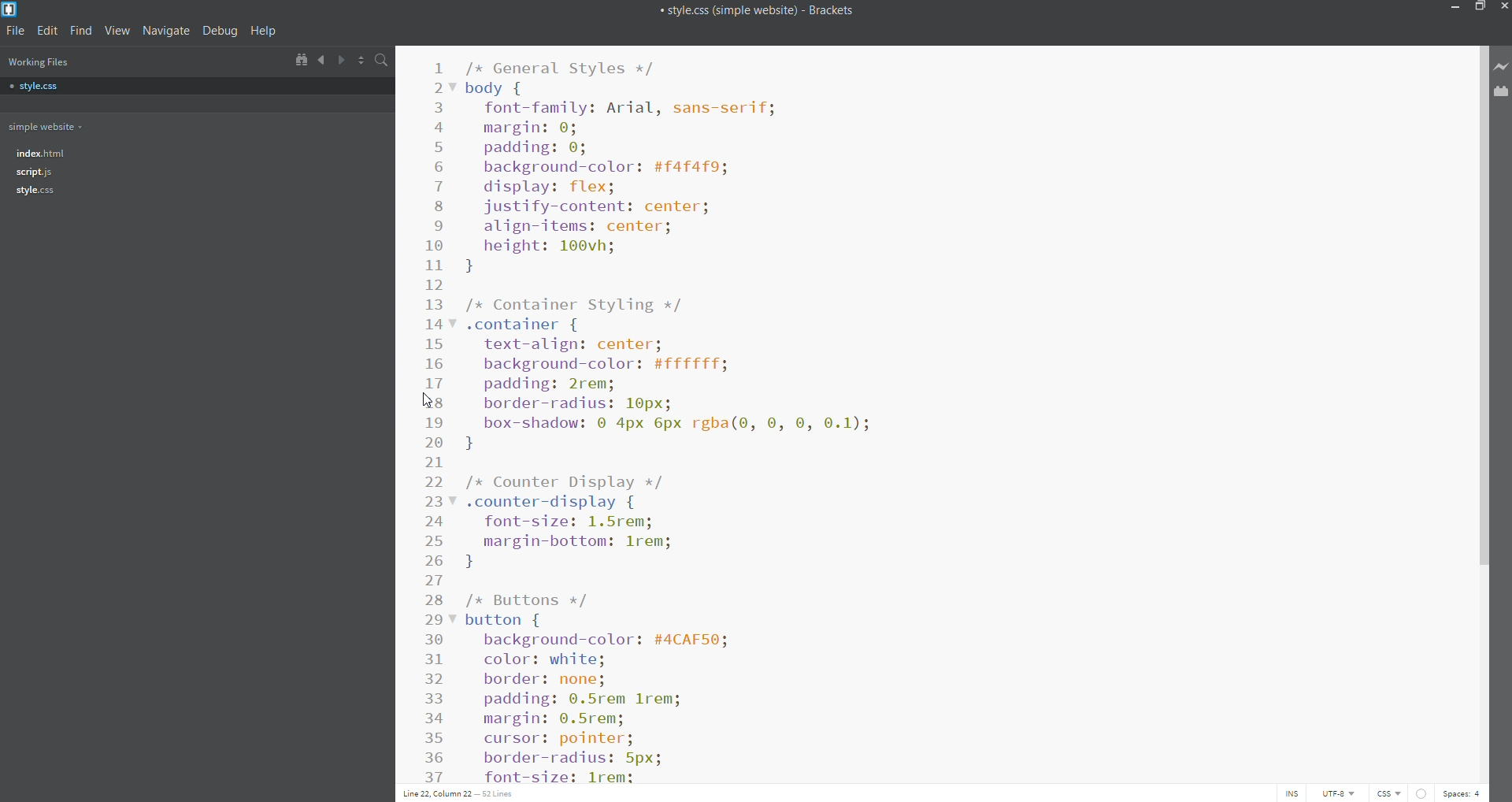  I want to click on file tree- index.html, so click(43, 151).